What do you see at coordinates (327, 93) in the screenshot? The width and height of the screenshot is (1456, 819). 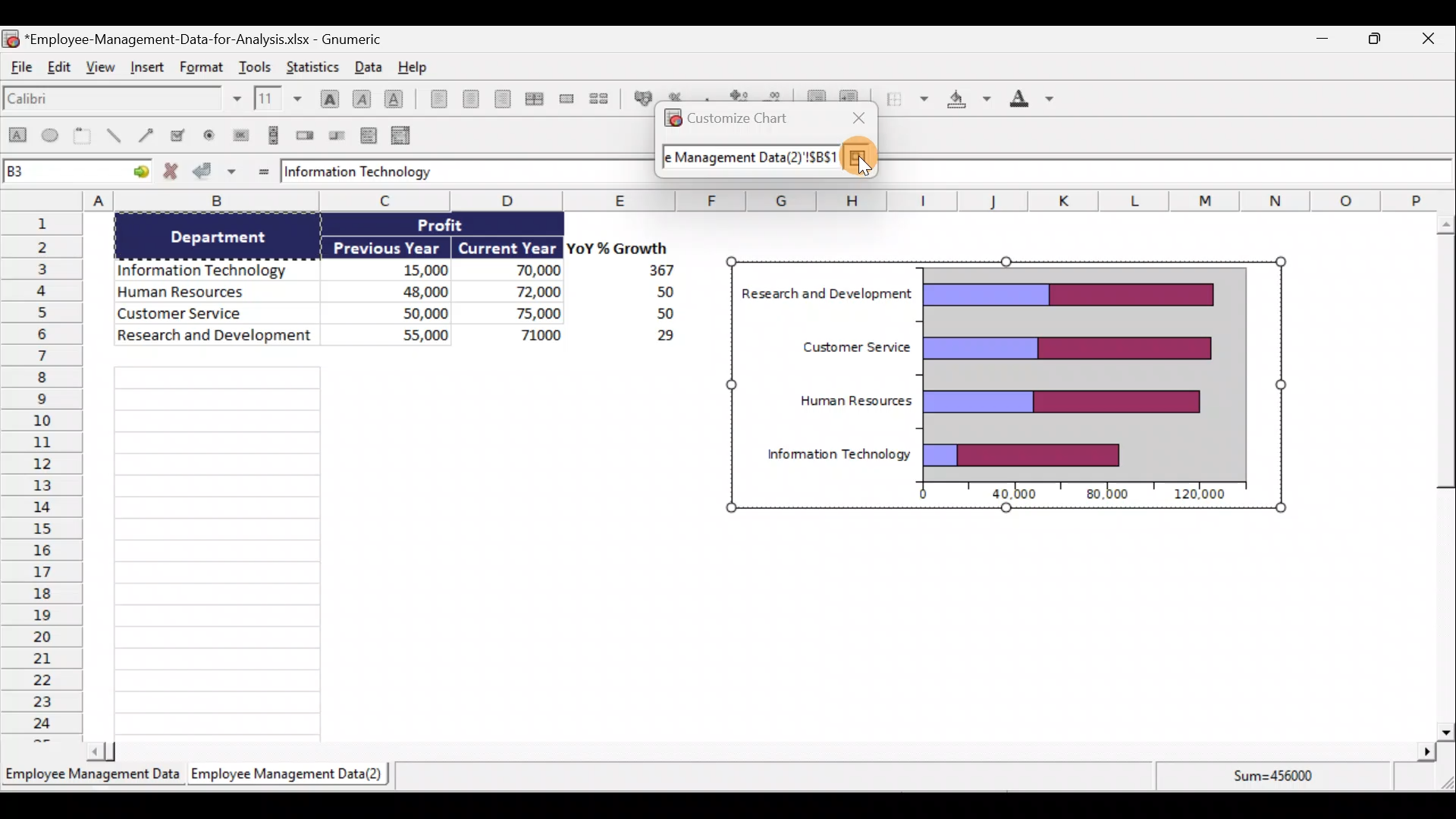 I see `Bold` at bounding box center [327, 93].